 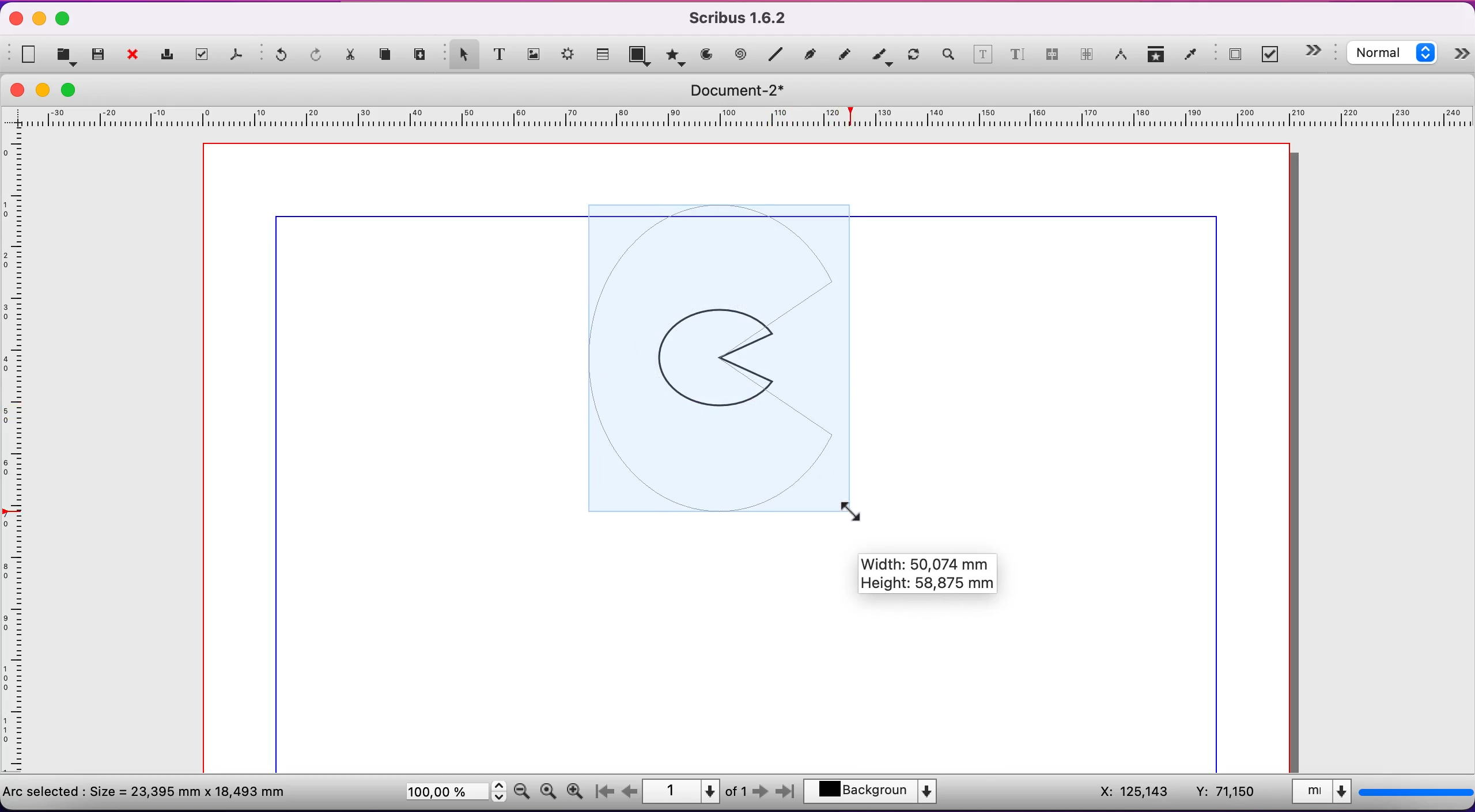 I want to click on coordinates, so click(x=1175, y=792).